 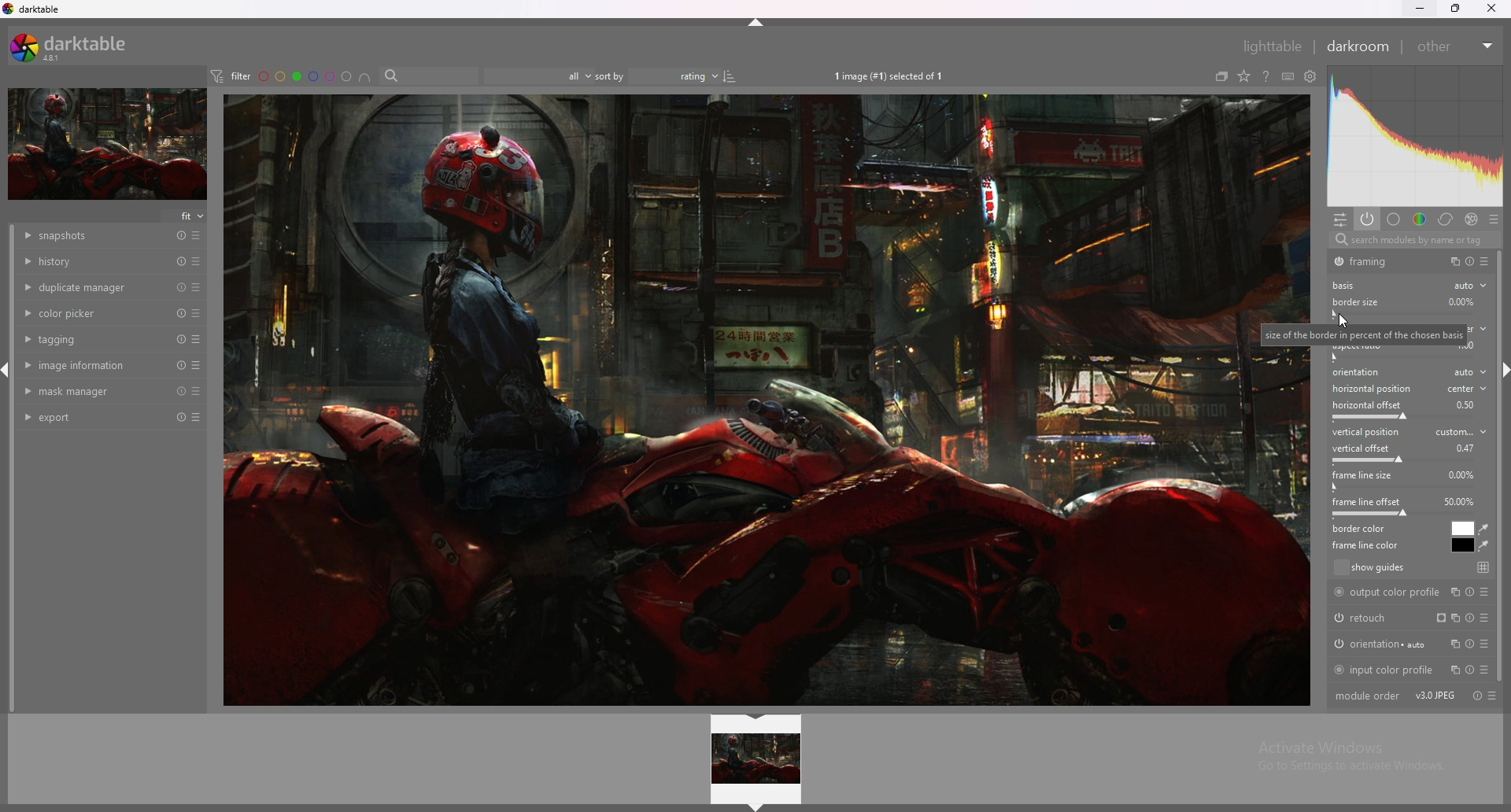 I want to click on darktable, so click(x=75, y=46).